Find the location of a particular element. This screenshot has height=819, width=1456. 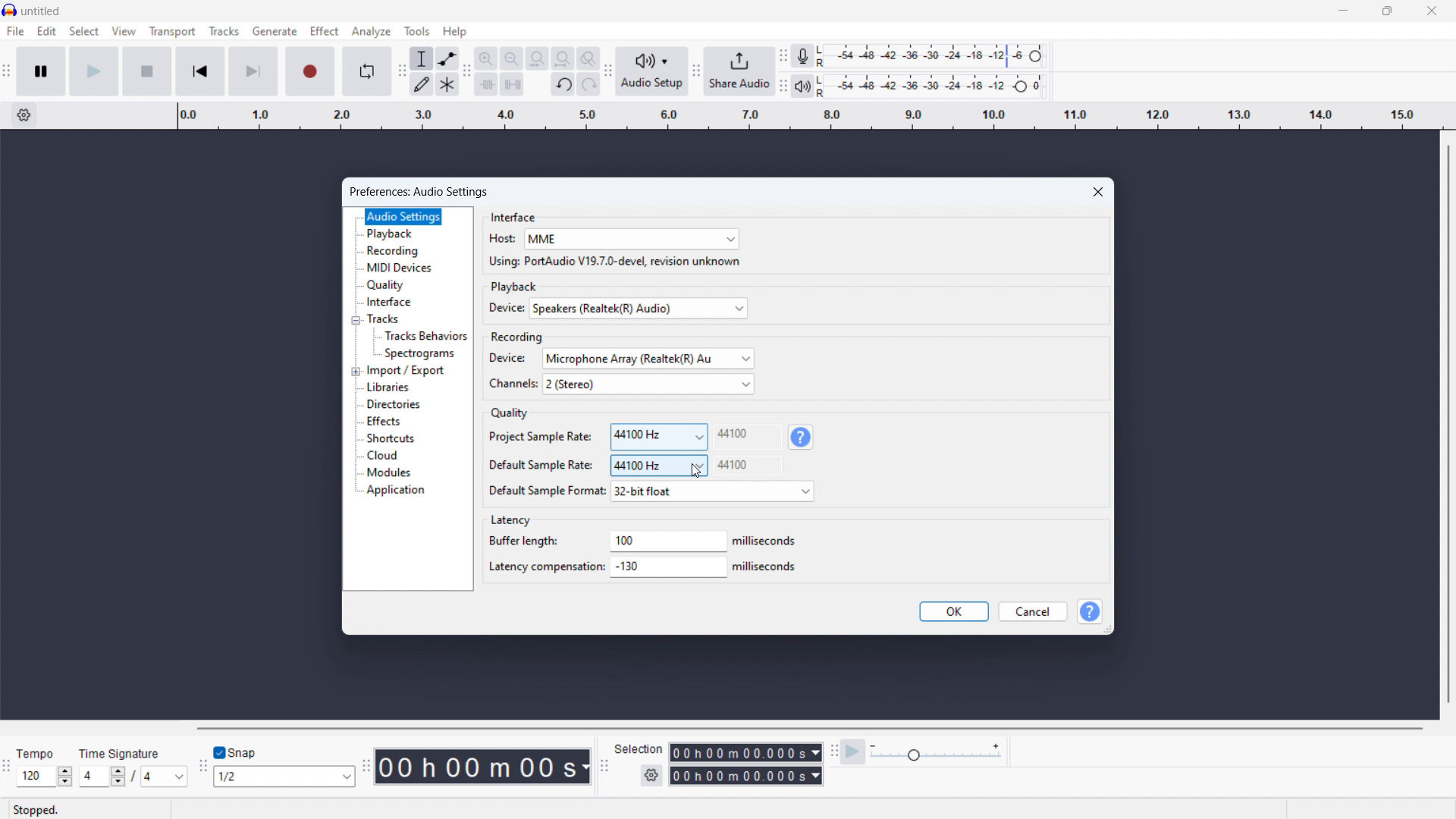

Time signature is located at coordinates (123, 752).